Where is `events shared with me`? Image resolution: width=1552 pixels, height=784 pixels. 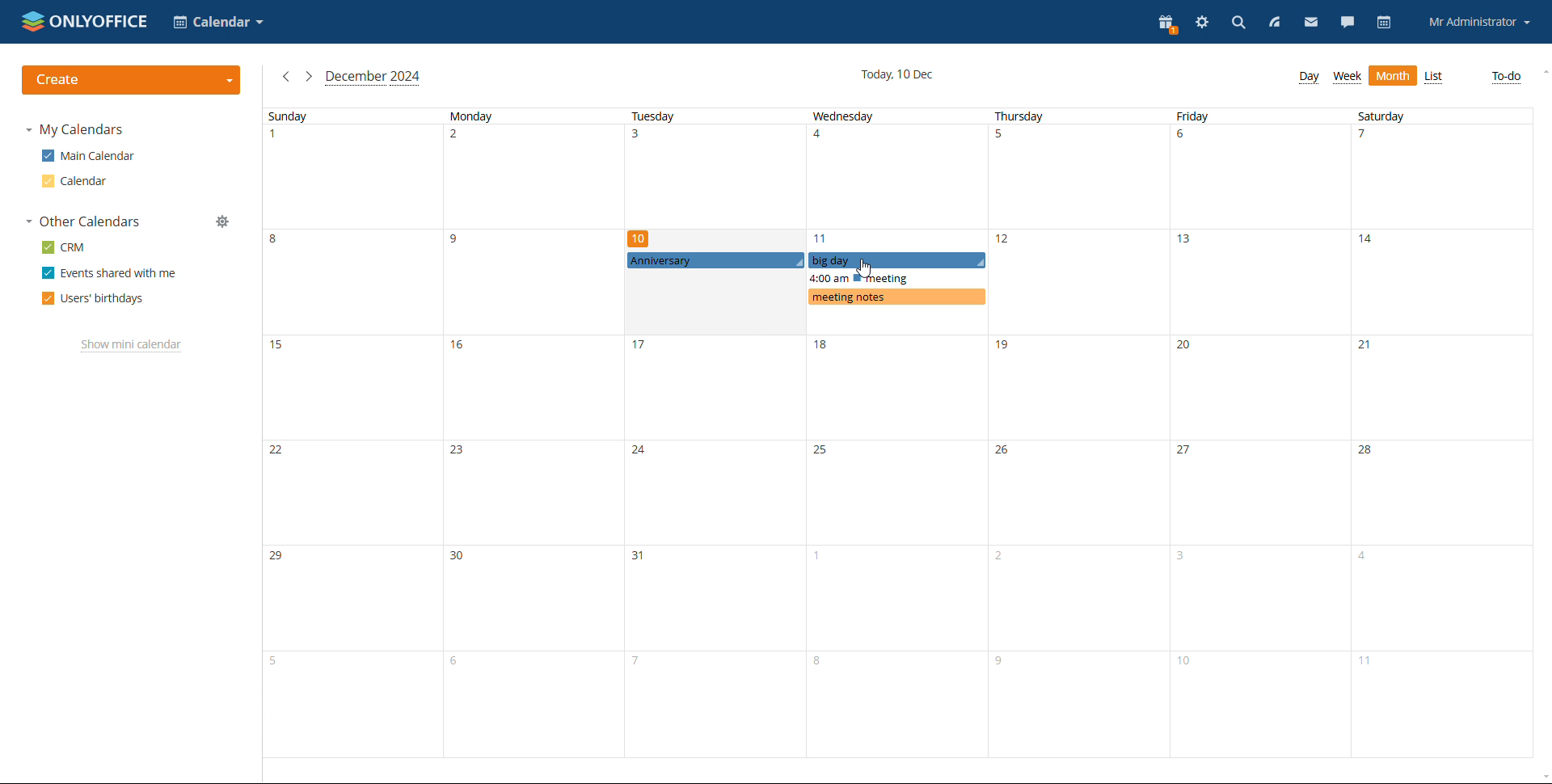 events shared with me is located at coordinates (111, 273).